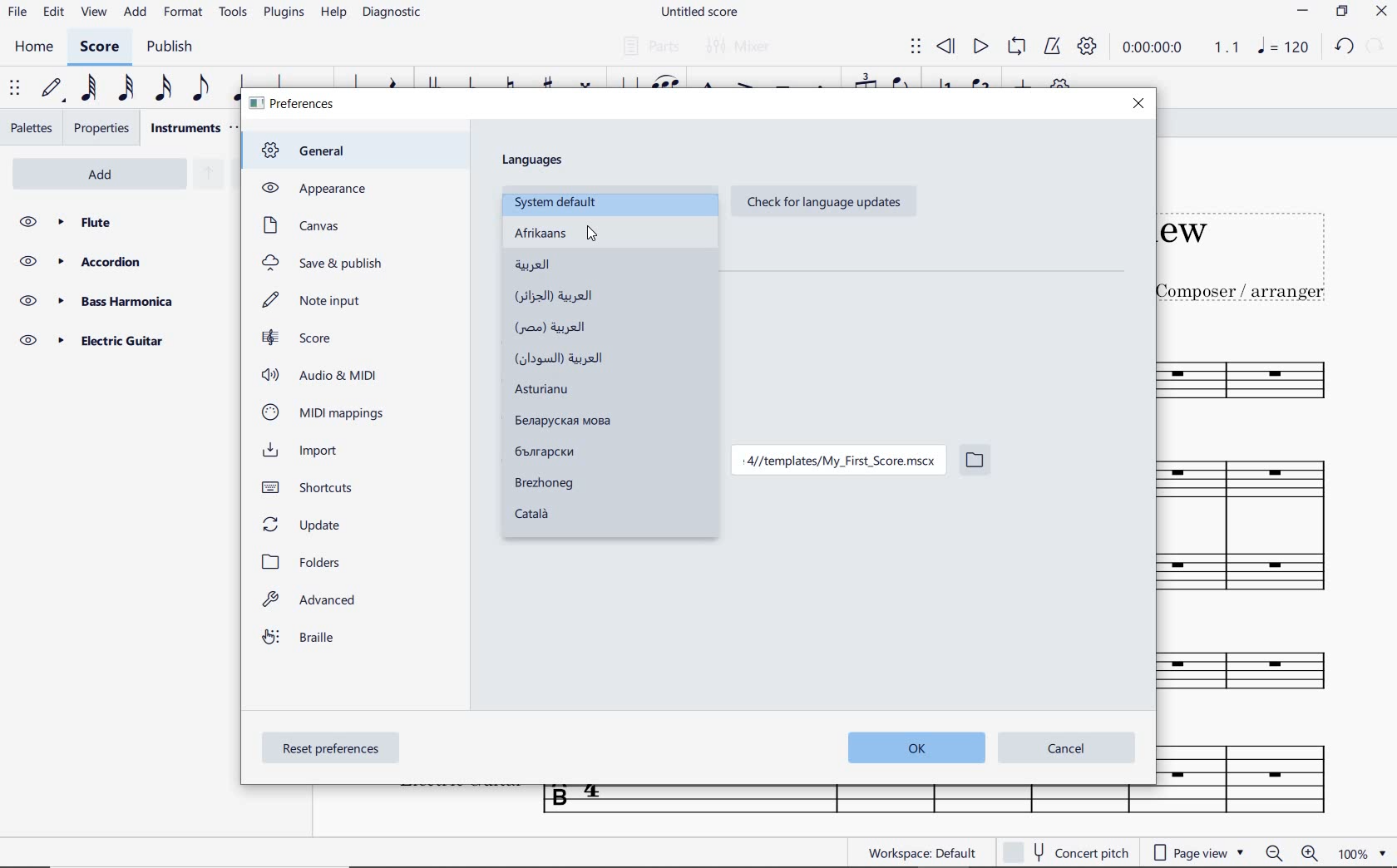 This screenshot has width=1397, height=868. I want to click on rewind, so click(945, 46).